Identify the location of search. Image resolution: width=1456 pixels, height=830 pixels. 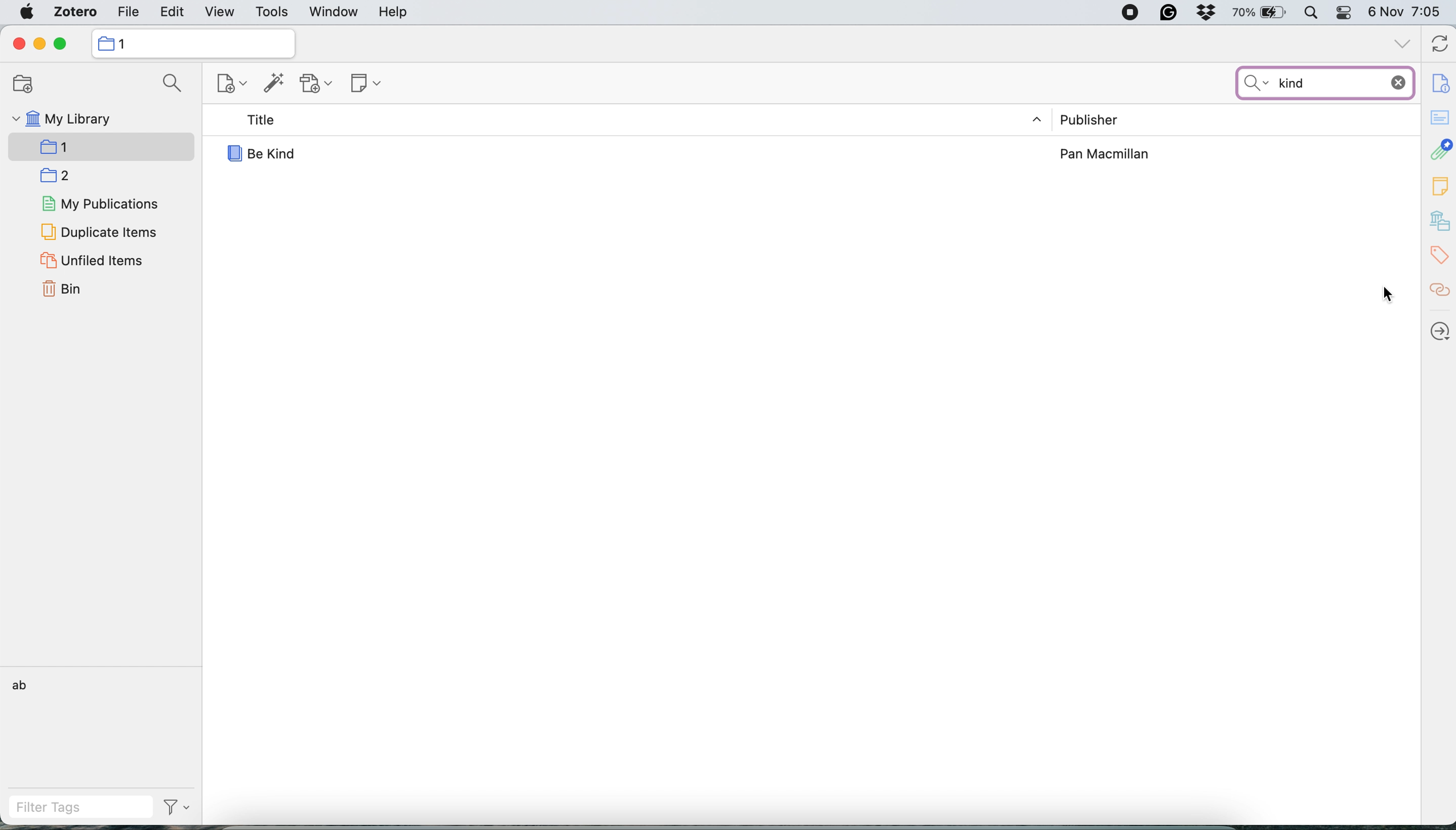
(172, 84).